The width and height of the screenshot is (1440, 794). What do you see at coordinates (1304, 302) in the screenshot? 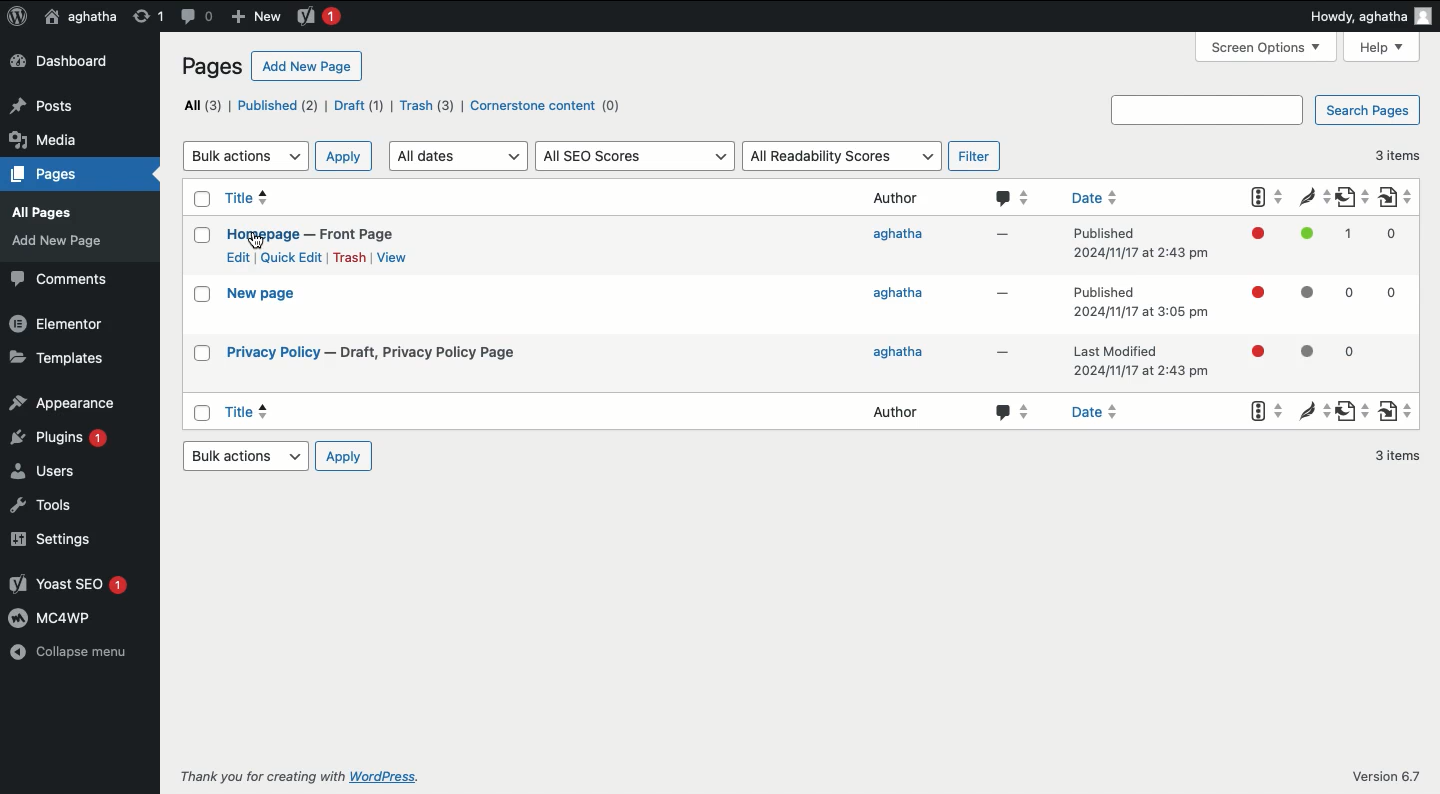
I see `Readability` at bounding box center [1304, 302].